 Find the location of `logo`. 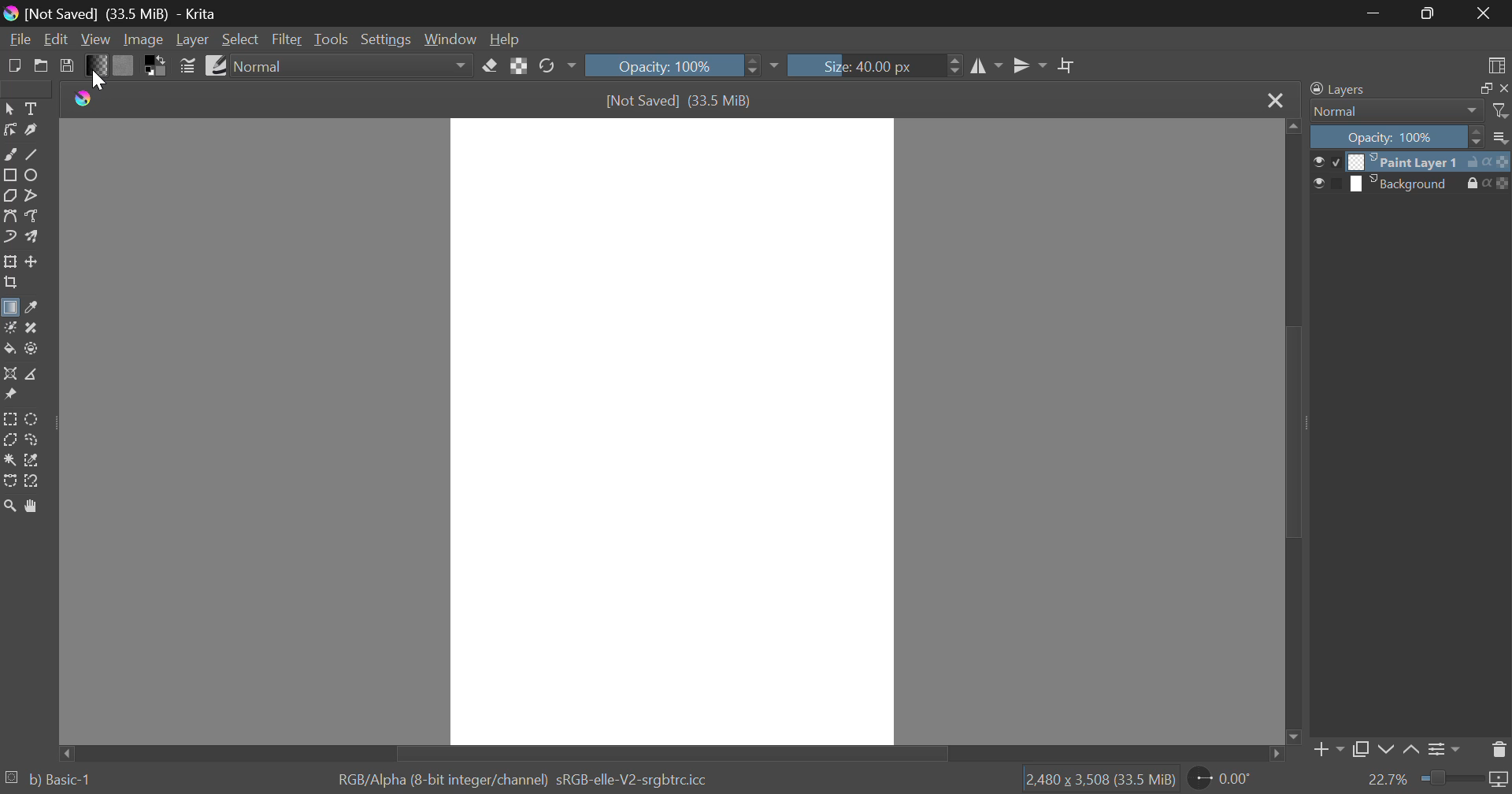

logo is located at coordinates (87, 98).